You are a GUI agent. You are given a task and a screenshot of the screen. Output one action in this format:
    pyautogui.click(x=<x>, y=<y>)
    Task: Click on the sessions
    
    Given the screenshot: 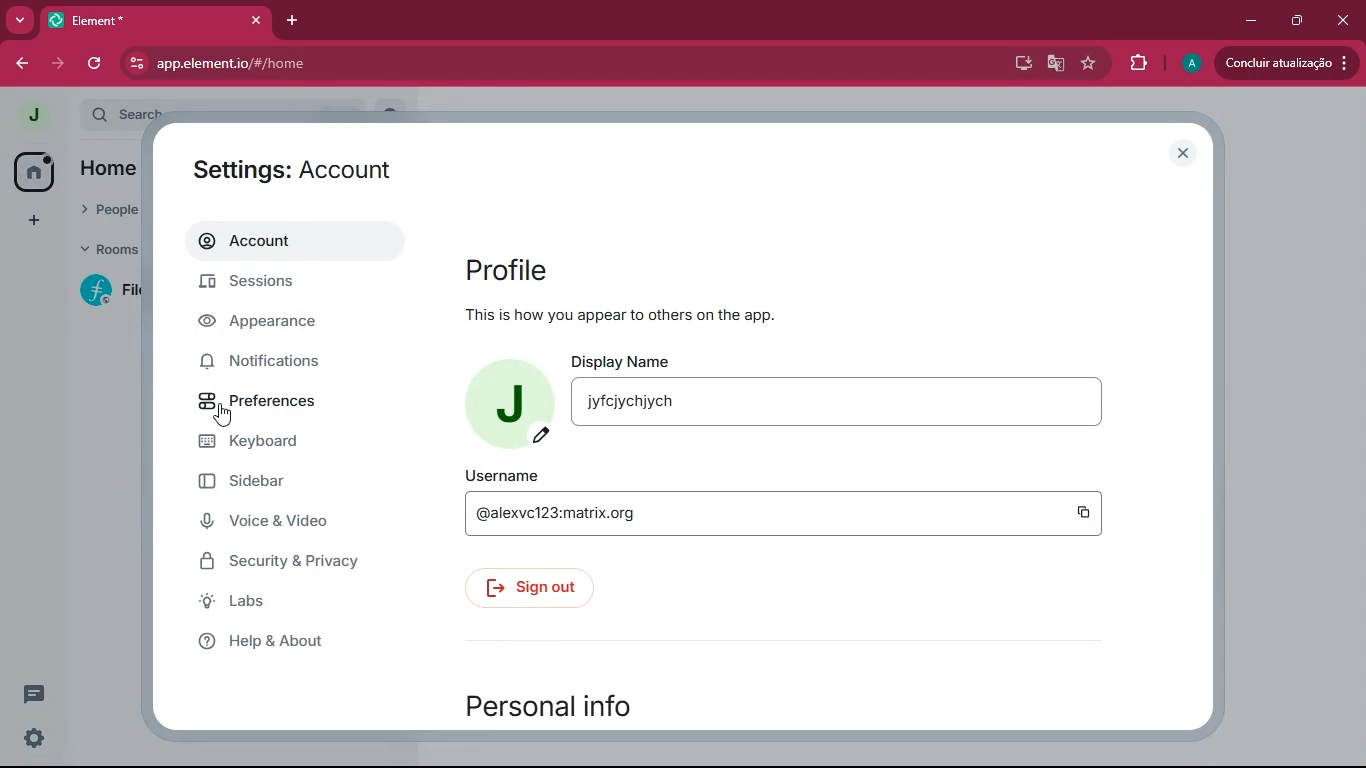 What is the action you would take?
    pyautogui.click(x=278, y=283)
    